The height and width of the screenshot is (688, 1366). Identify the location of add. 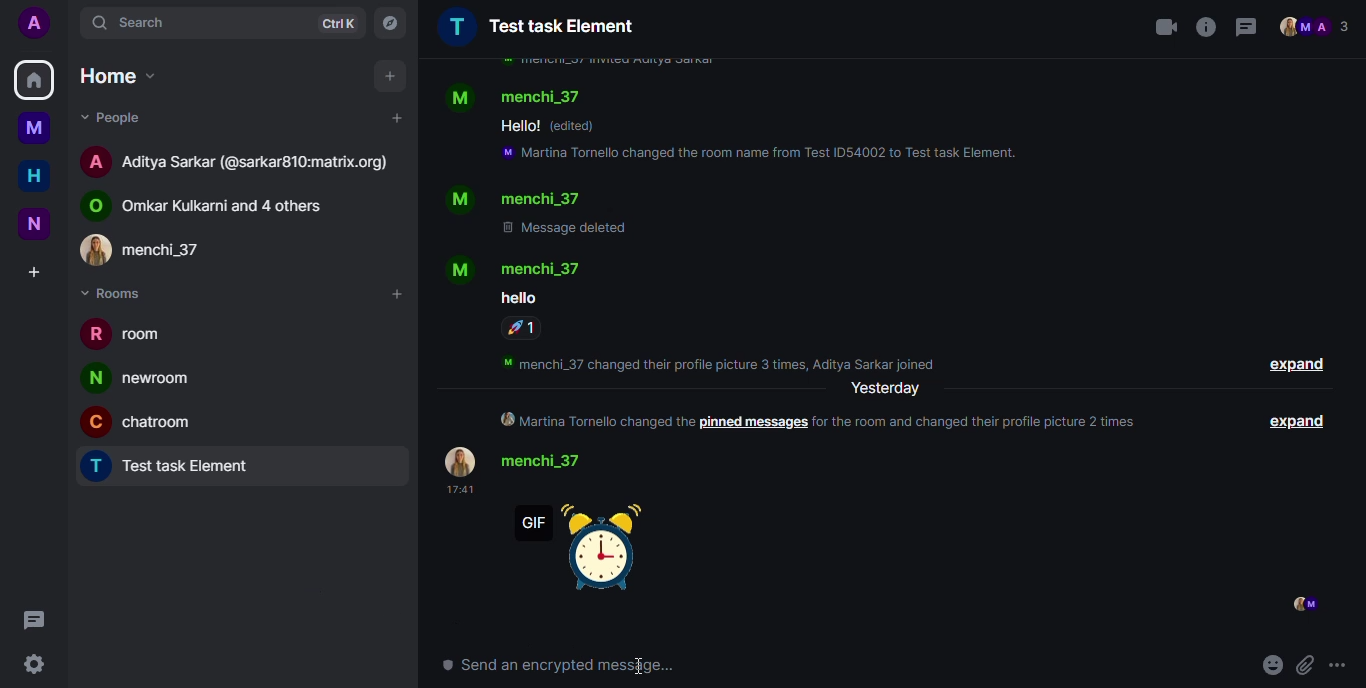
(395, 295).